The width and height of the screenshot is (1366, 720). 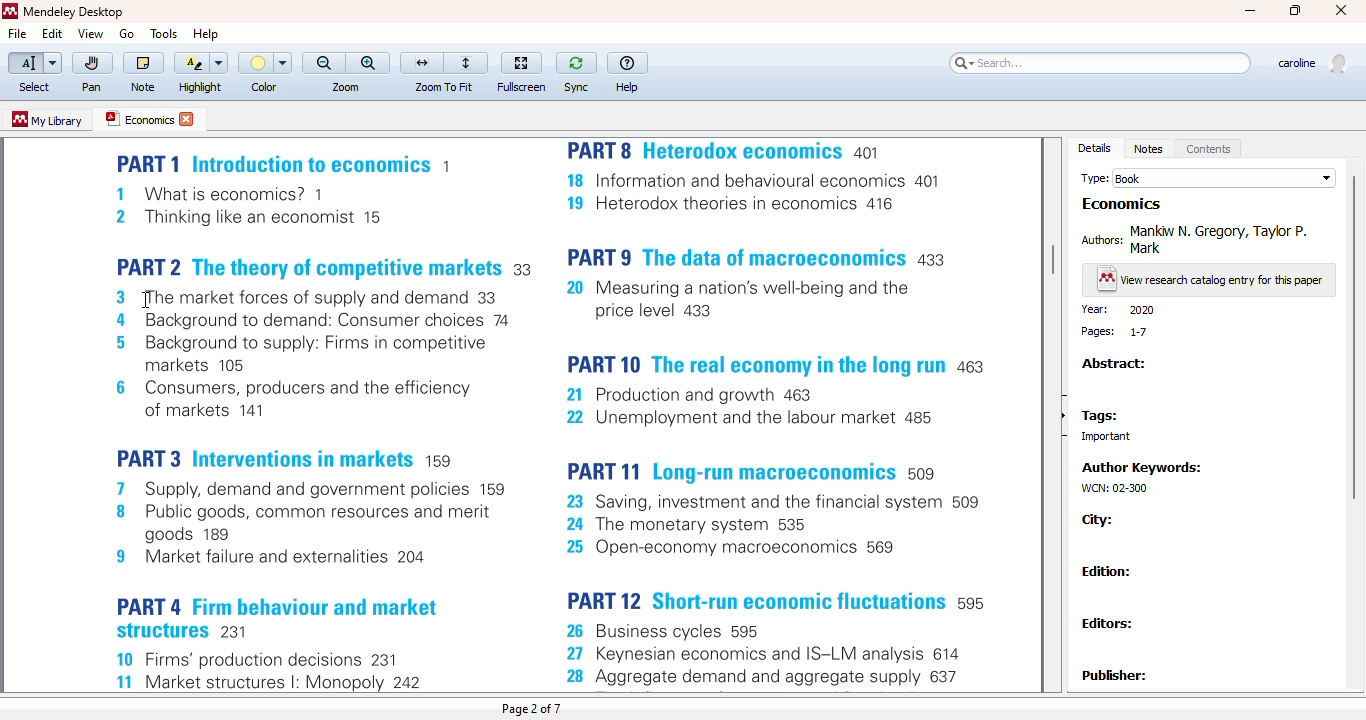 What do you see at coordinates (199, 63) in the screenshot?
I see `highlight` at bounding box center [199, 63].